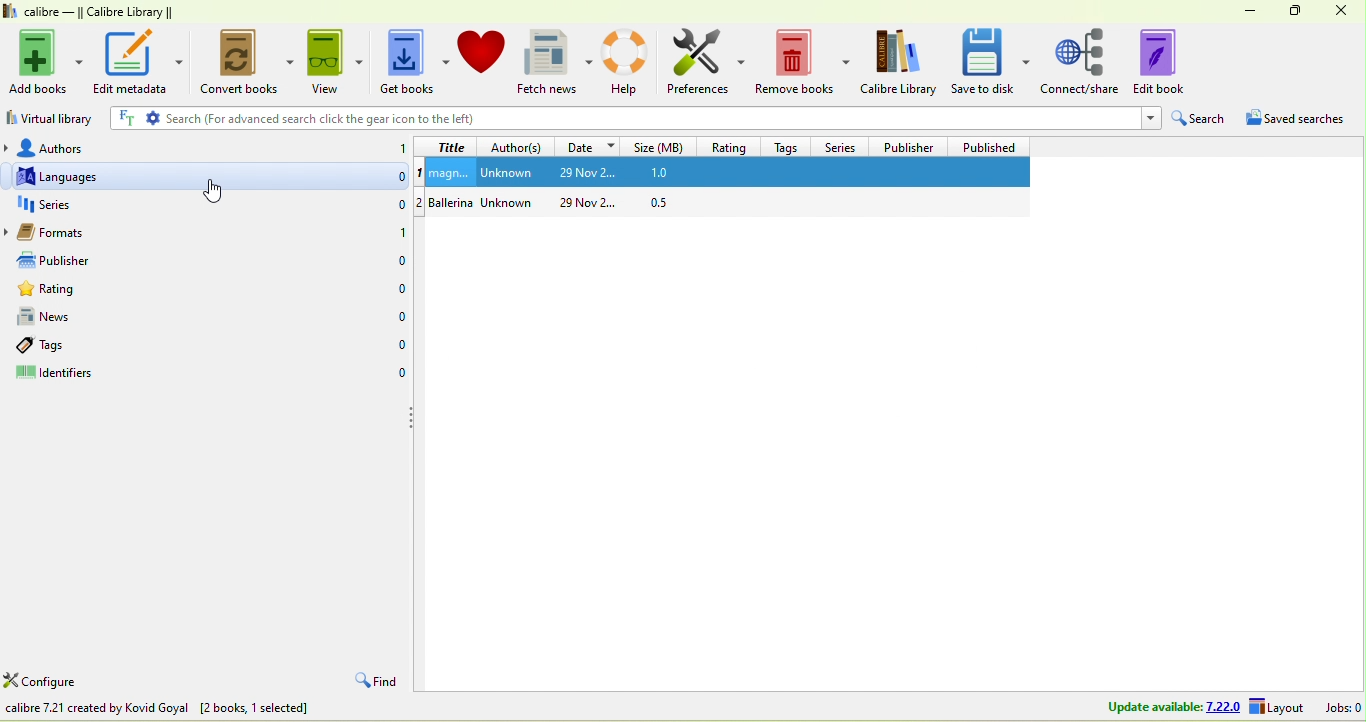 The width and height of the screenshot is (1366, 722). Describe the element at coordinates (88, 320) in the screenshot. I see `news` at that location.